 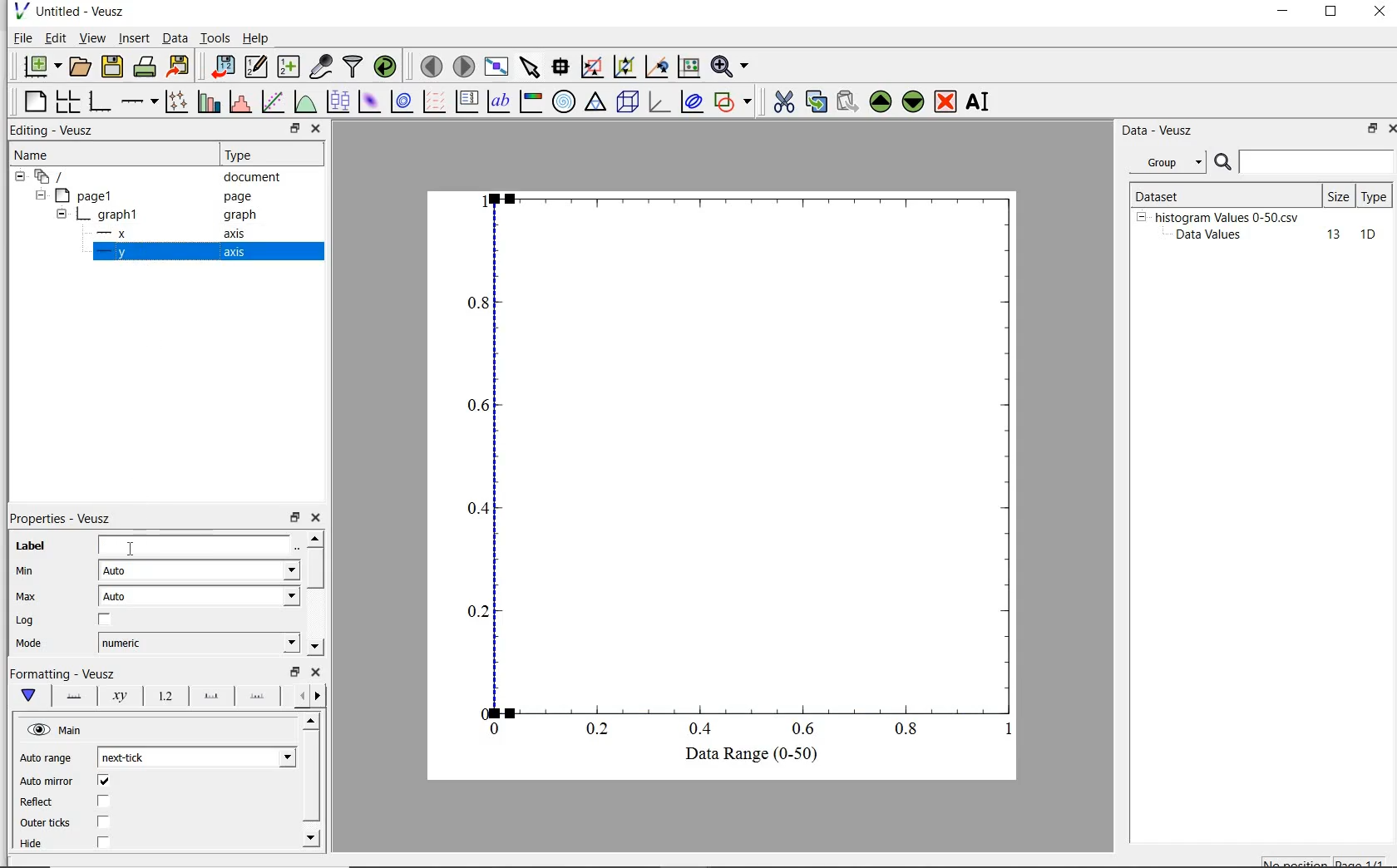 I want to click on 3d graph, so click(x=659, y=102).